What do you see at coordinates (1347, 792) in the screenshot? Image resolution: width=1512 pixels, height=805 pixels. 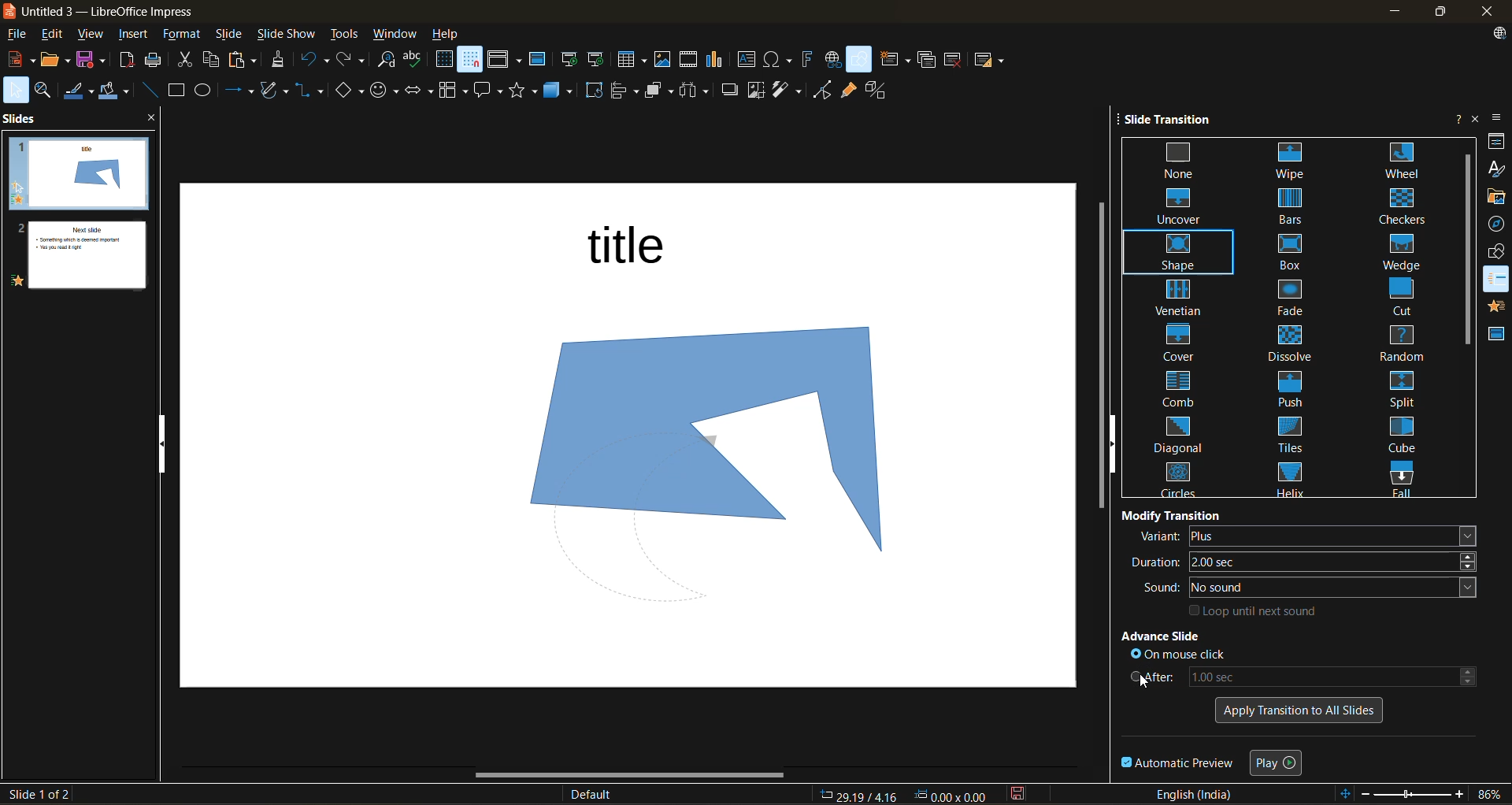 I see `fit to slide` at bounding box center [1347, 792].